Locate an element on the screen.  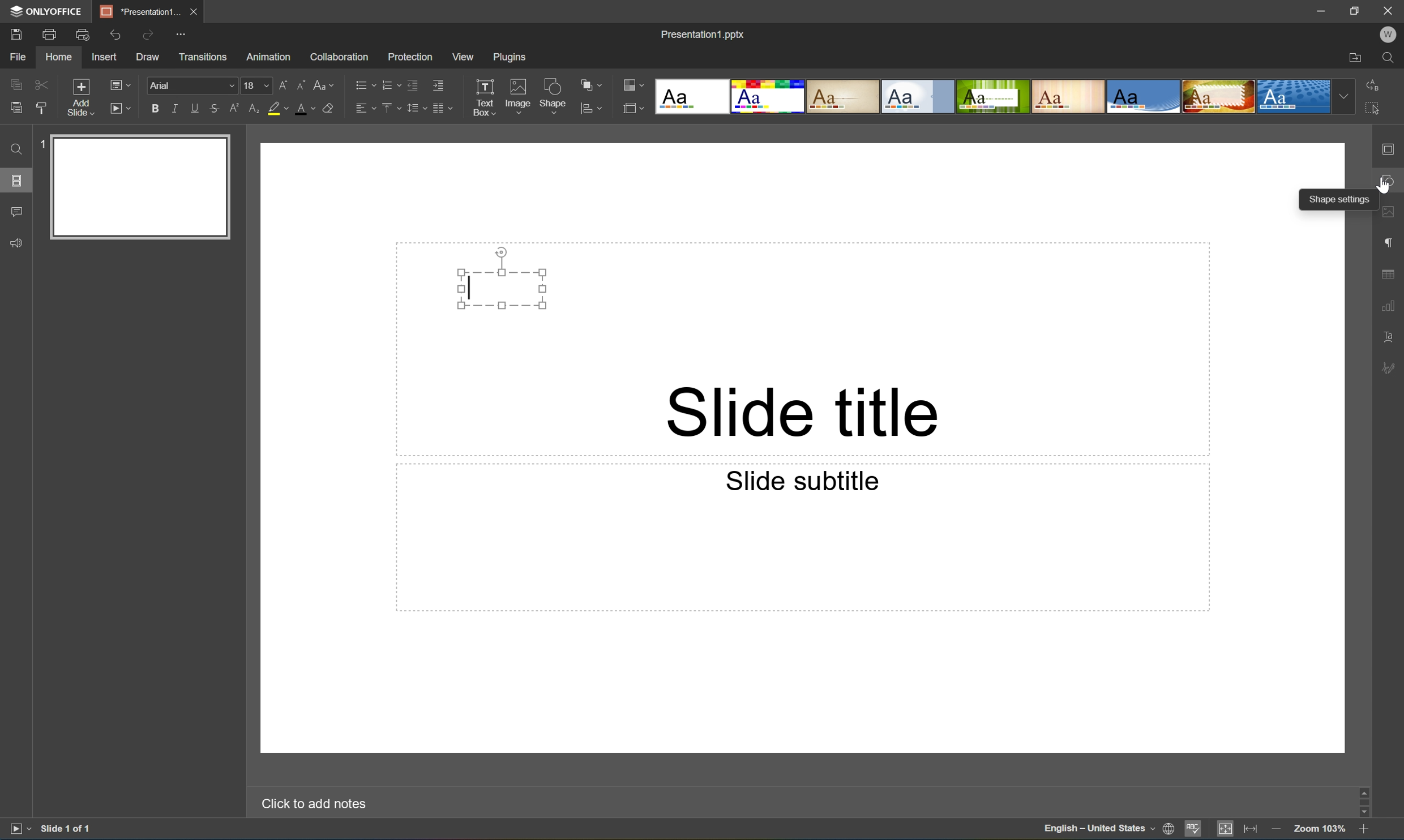
Insert columns is located at coordinates (442, 108).